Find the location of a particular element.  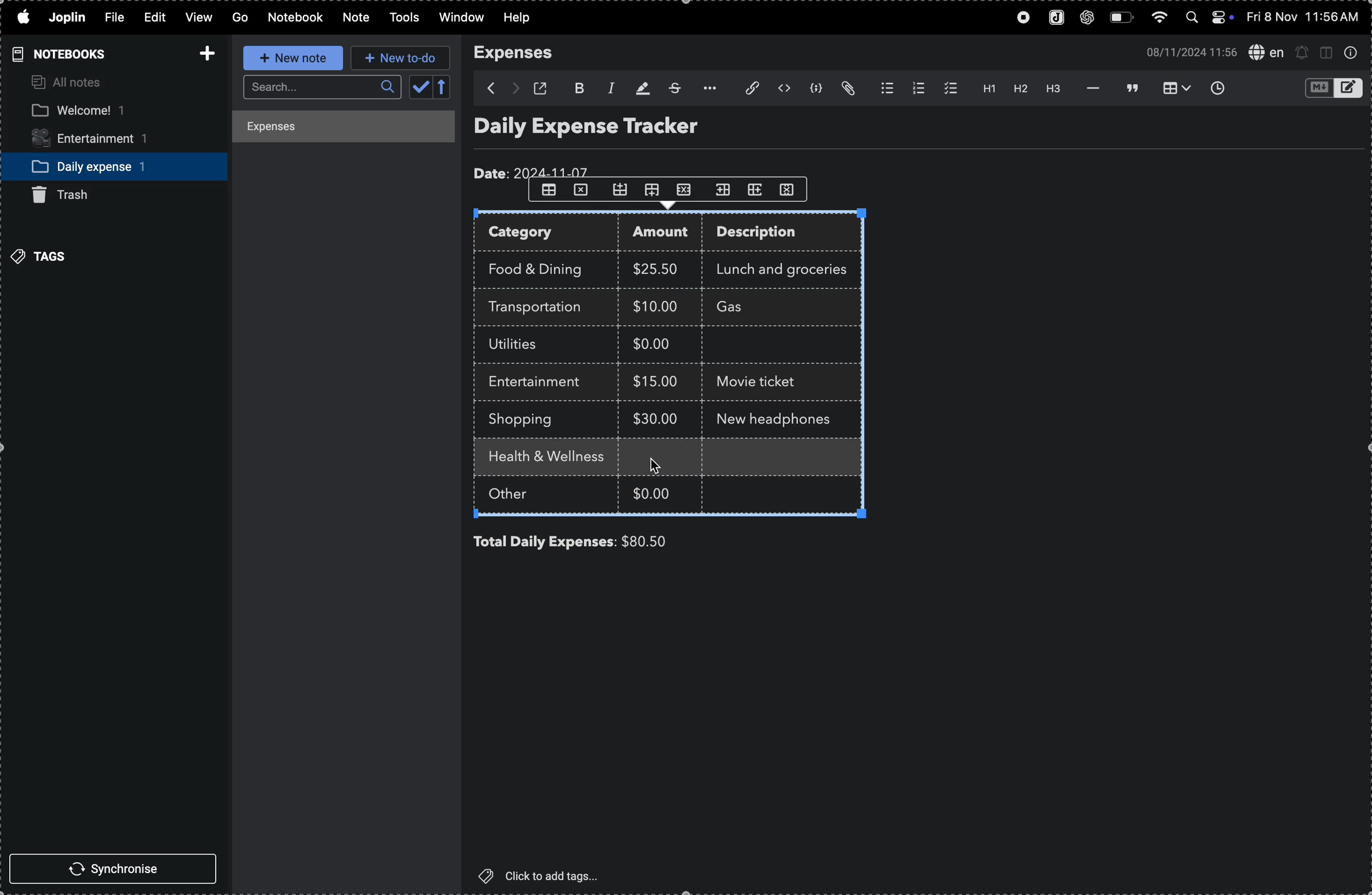

backward is located at coordinates (485, 88).